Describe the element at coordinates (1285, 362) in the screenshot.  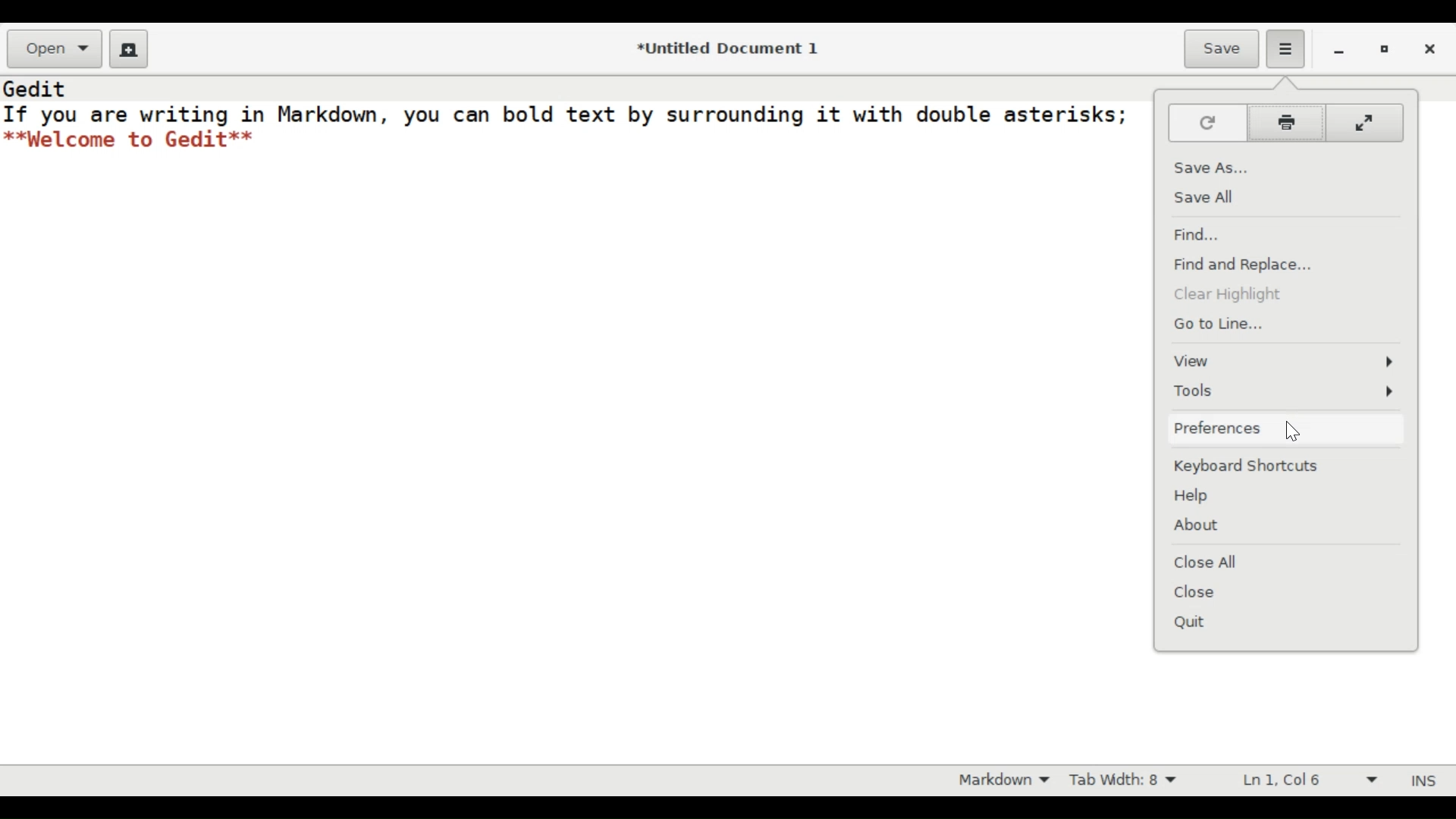
I see `View` at that location.